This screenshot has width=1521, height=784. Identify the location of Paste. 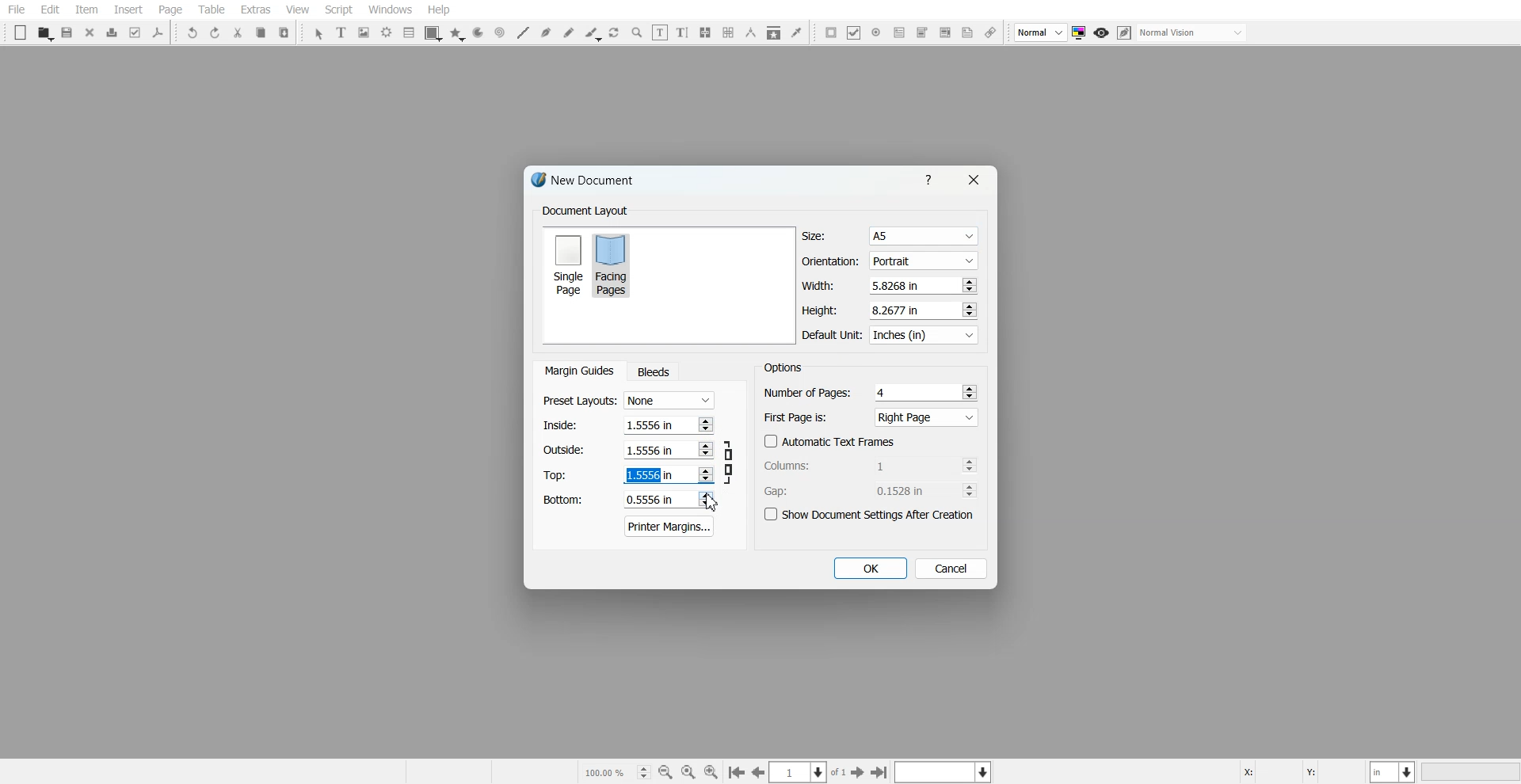
(284, 32).